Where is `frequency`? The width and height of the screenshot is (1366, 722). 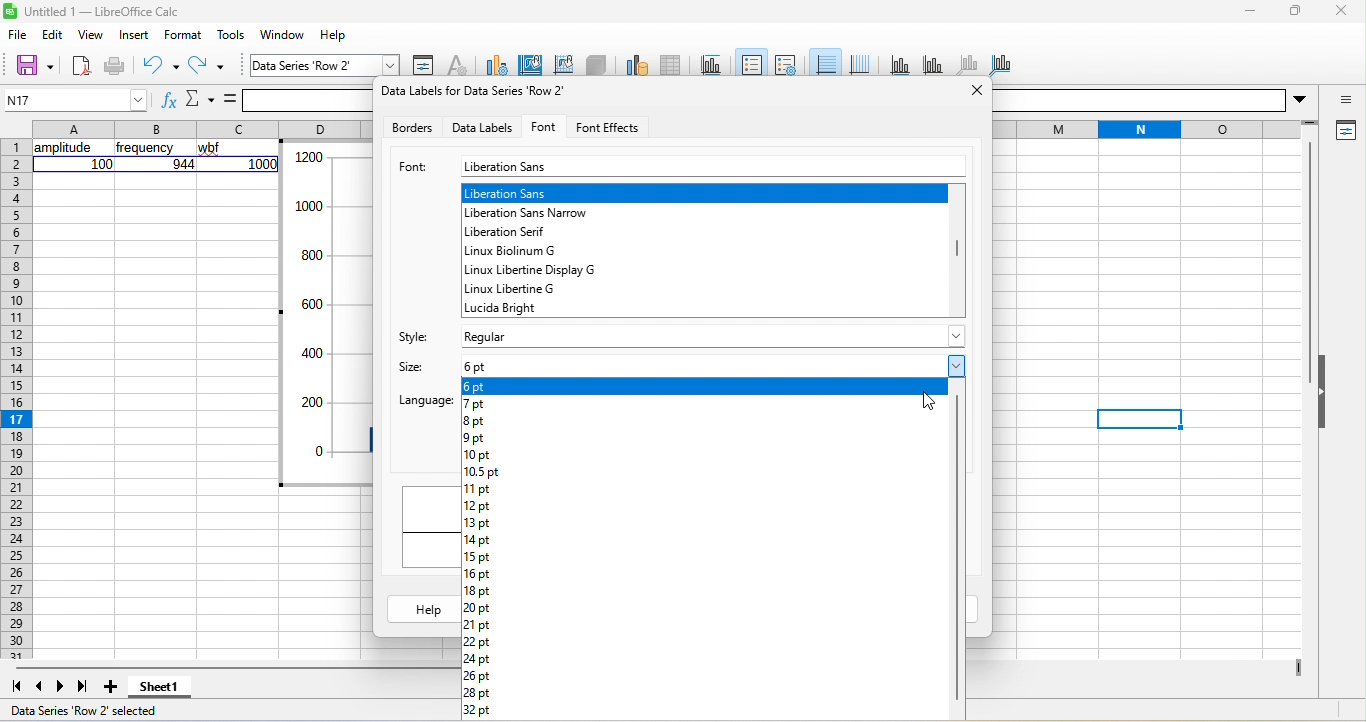 frequency is located at coordinates (146, 149).